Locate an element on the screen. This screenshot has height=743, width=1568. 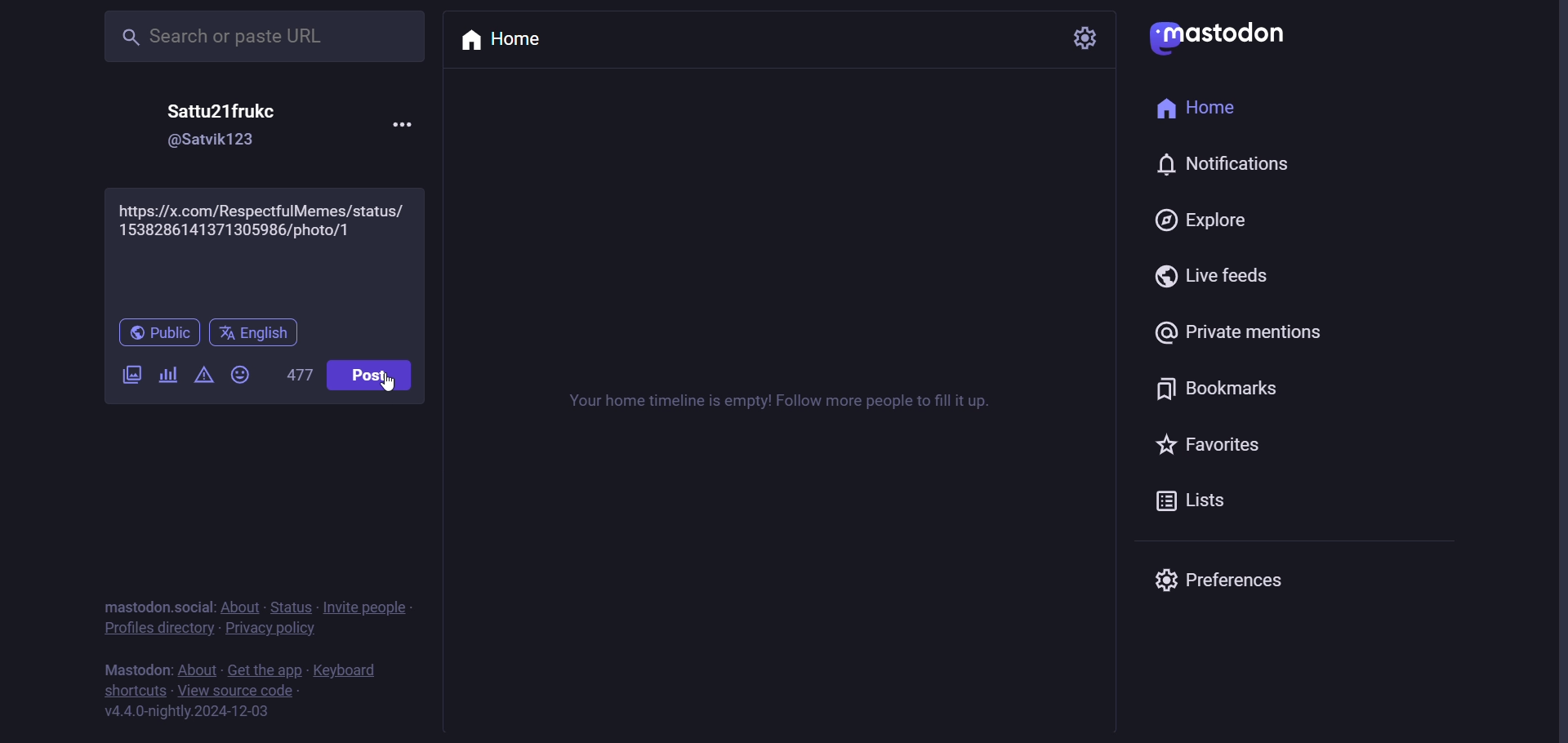
explore is located at coordinates (1196, 222).